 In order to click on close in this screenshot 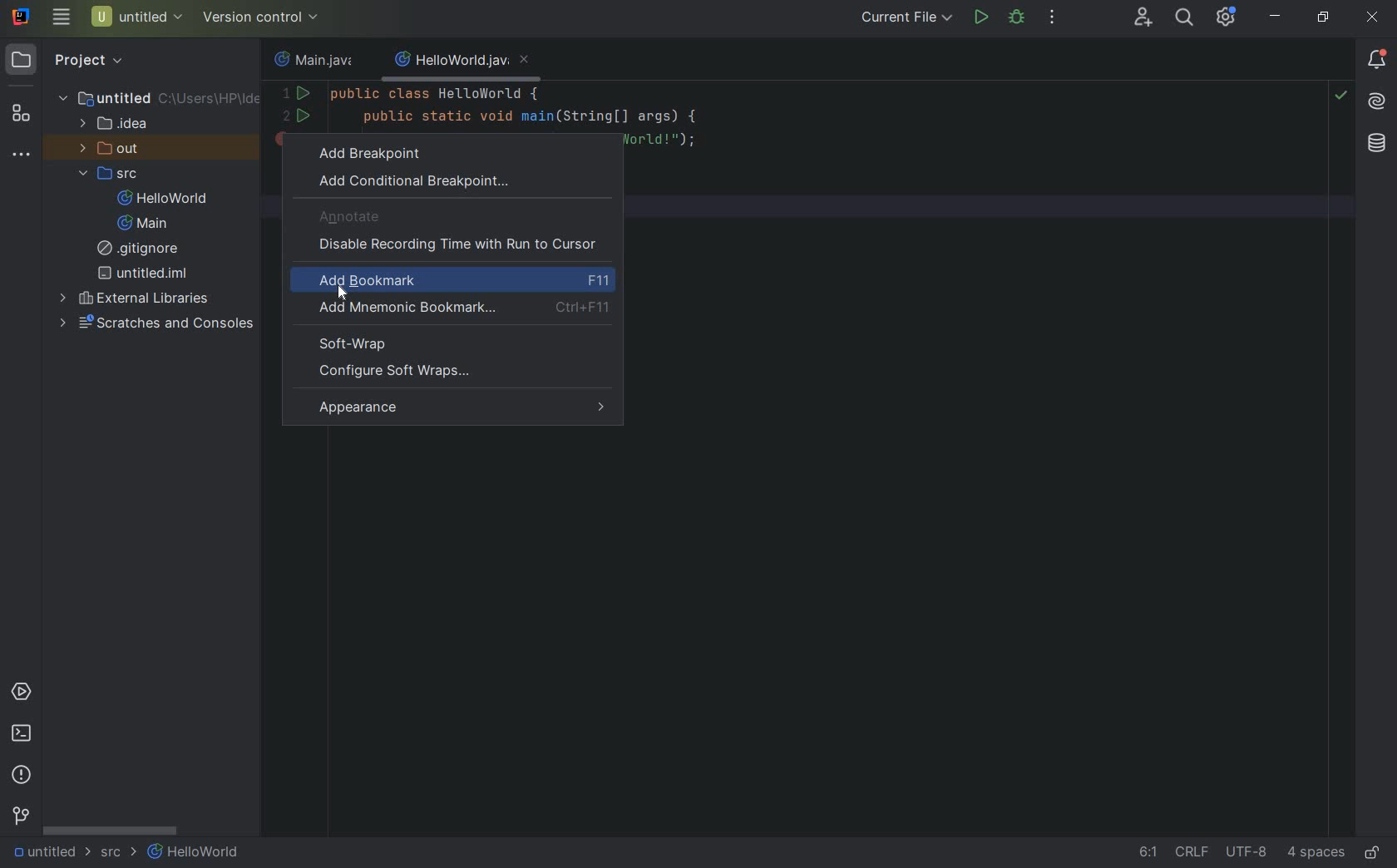, I will do `click(1374, 21)`.